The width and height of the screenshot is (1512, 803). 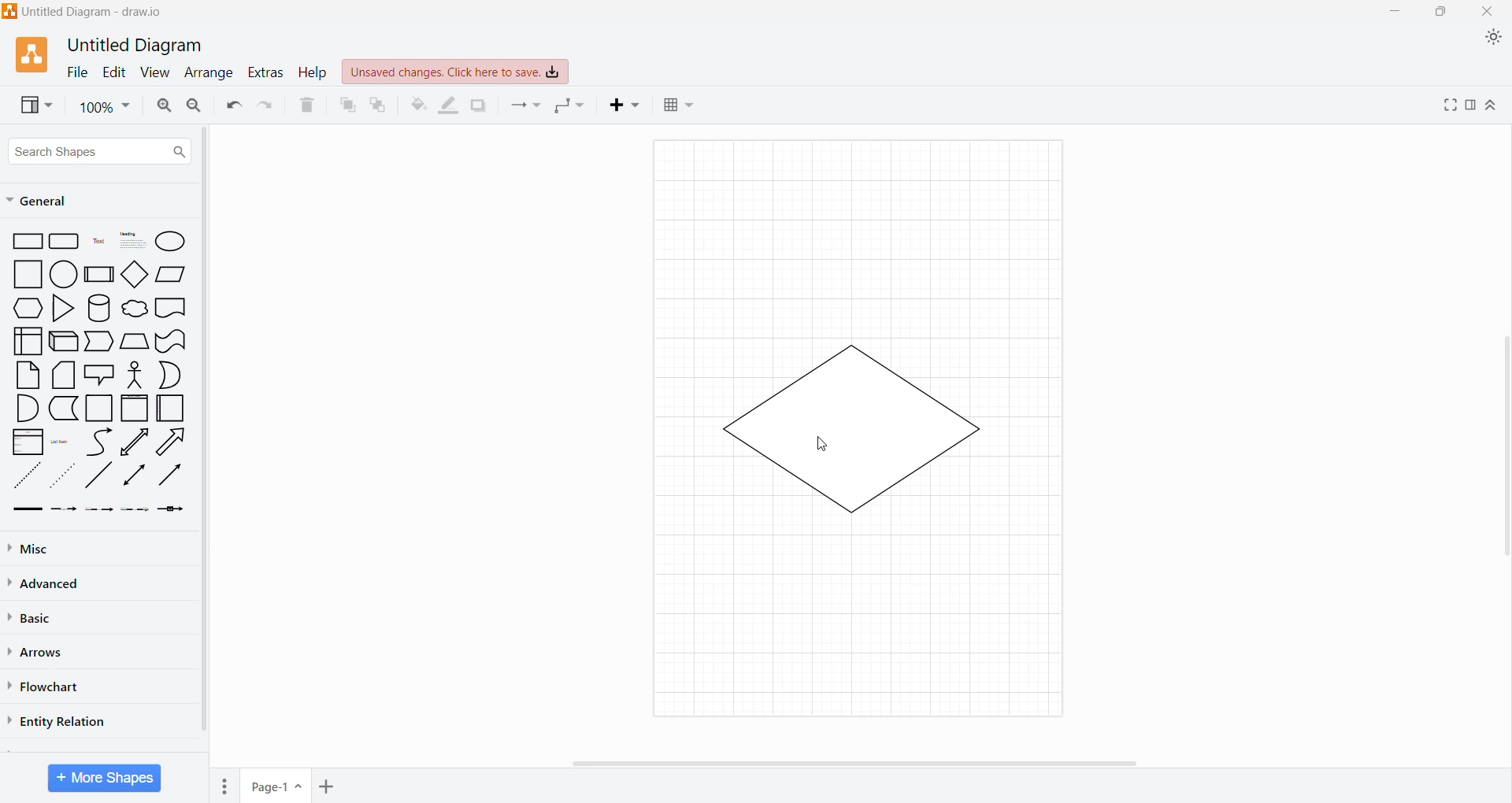 What do you see at coordinates (134, 310) in the screenshot?
I see `Thought Bubble` at bounding box center [134, 310].